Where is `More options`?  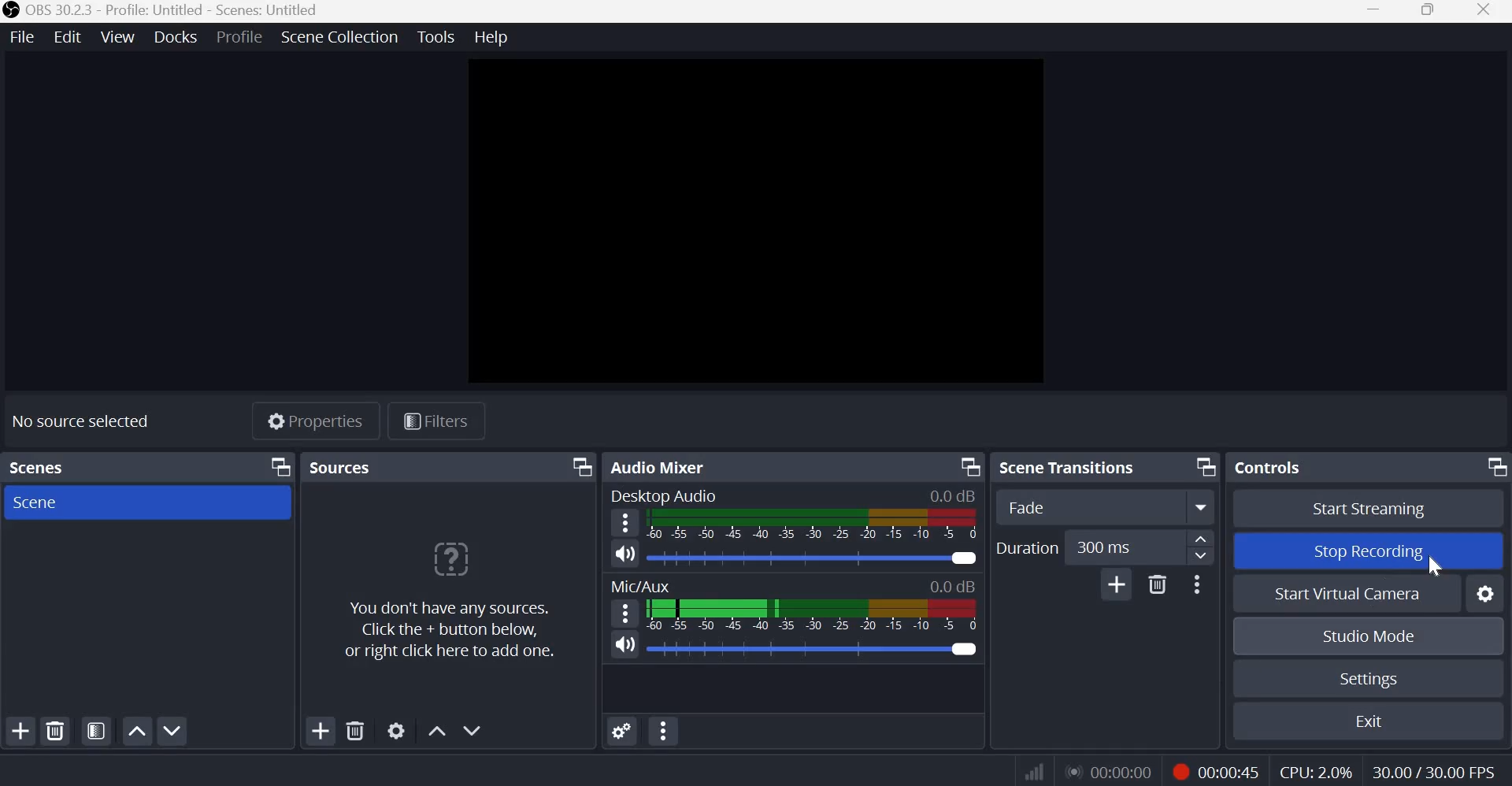 More options is located at coordinates (1202, 506).